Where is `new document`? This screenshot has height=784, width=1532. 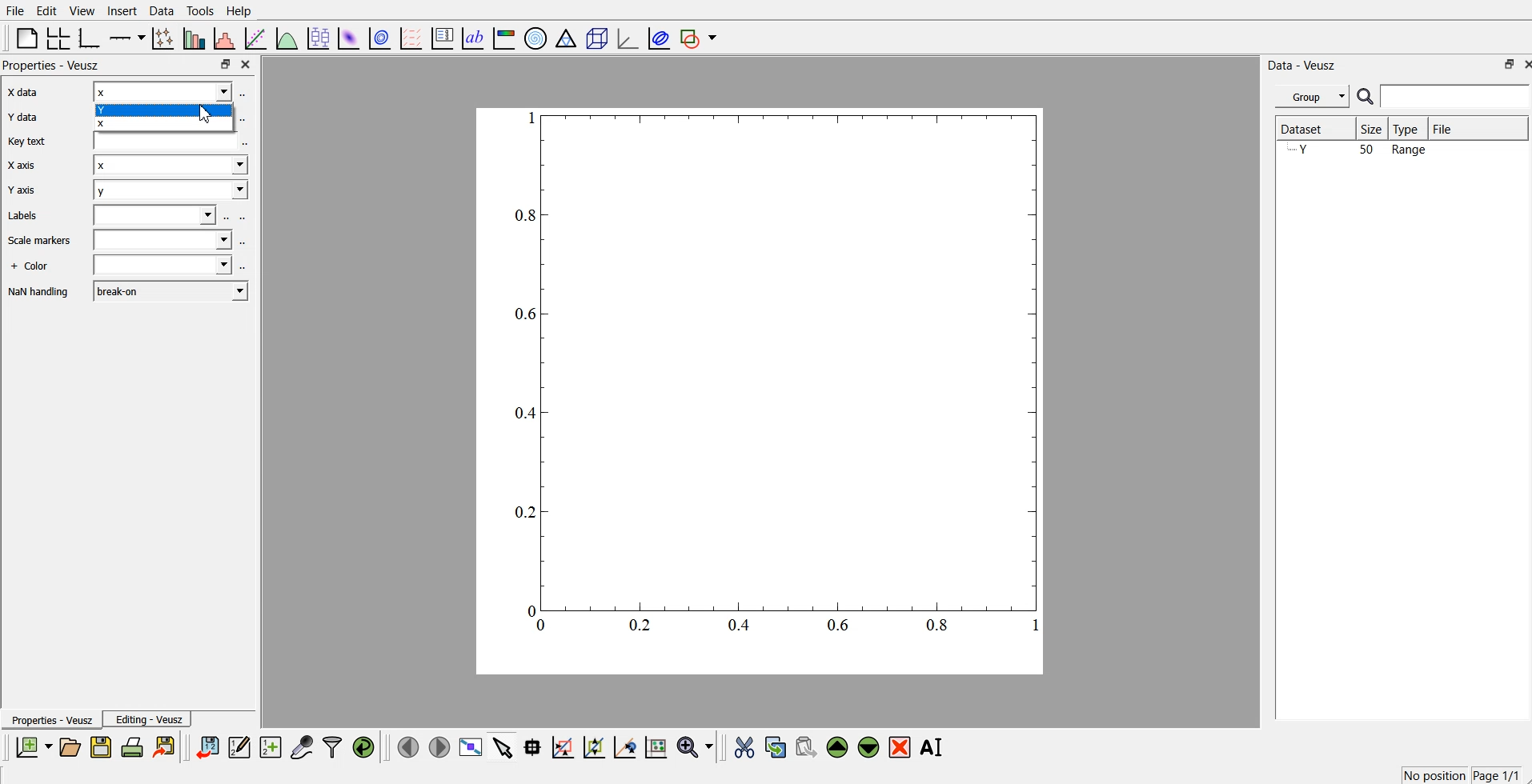
new document is located at coordinates (35, 746).